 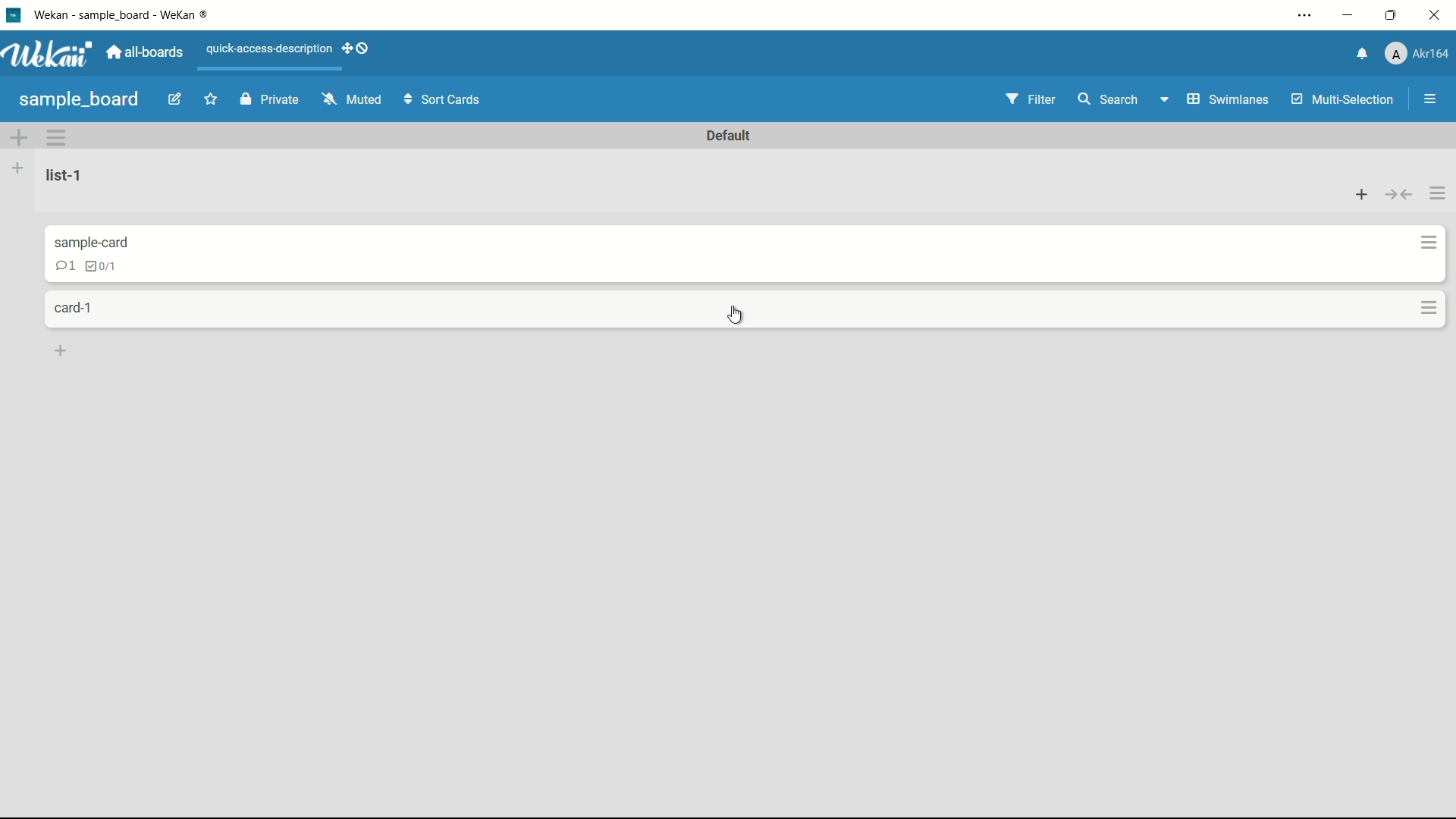 I want to click on wekan - Sample_board - weaken, so click(x=148, y=17).